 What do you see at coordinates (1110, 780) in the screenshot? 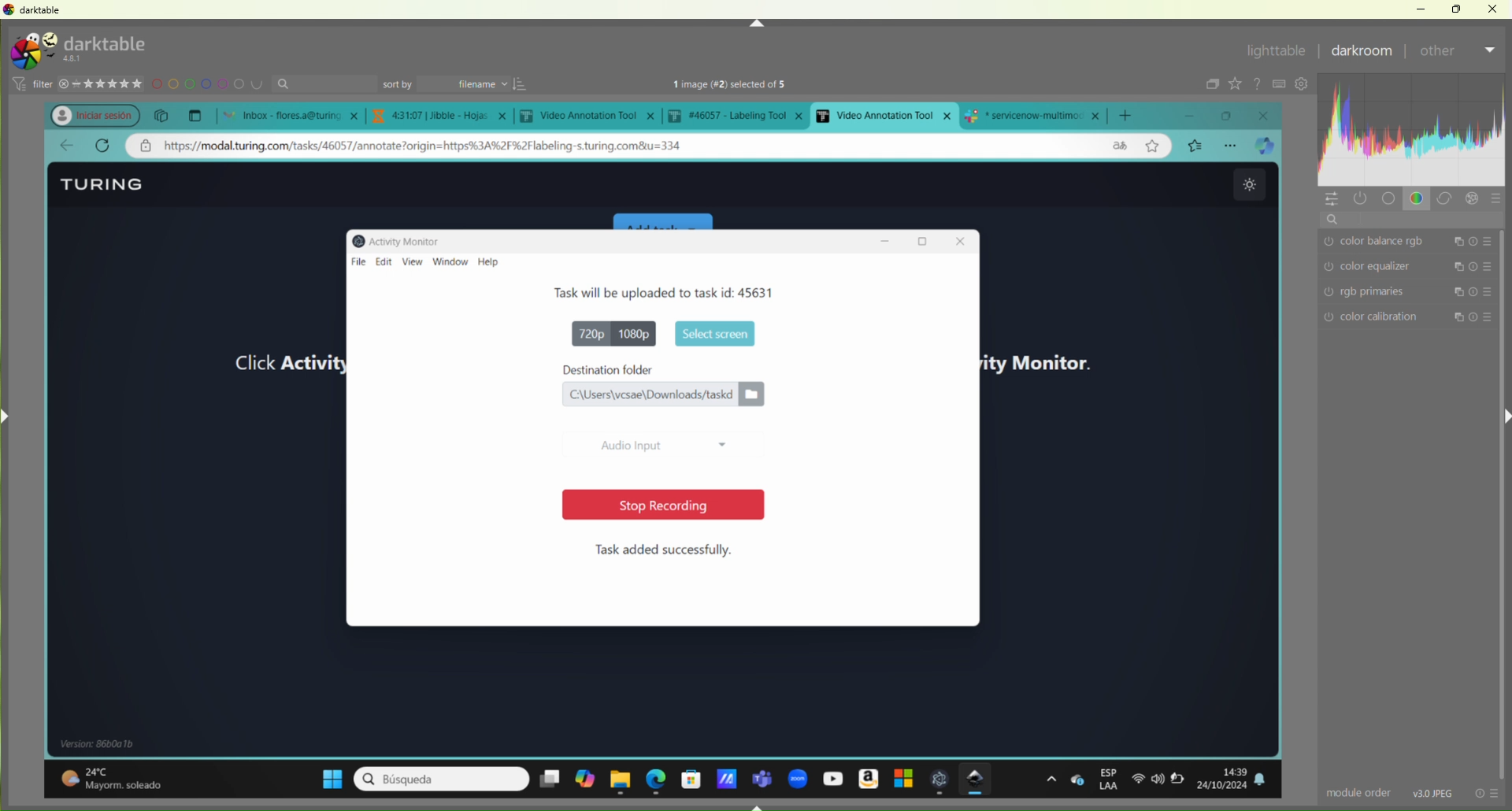
I see `esp Laa` at bounding box center [1110, 780].